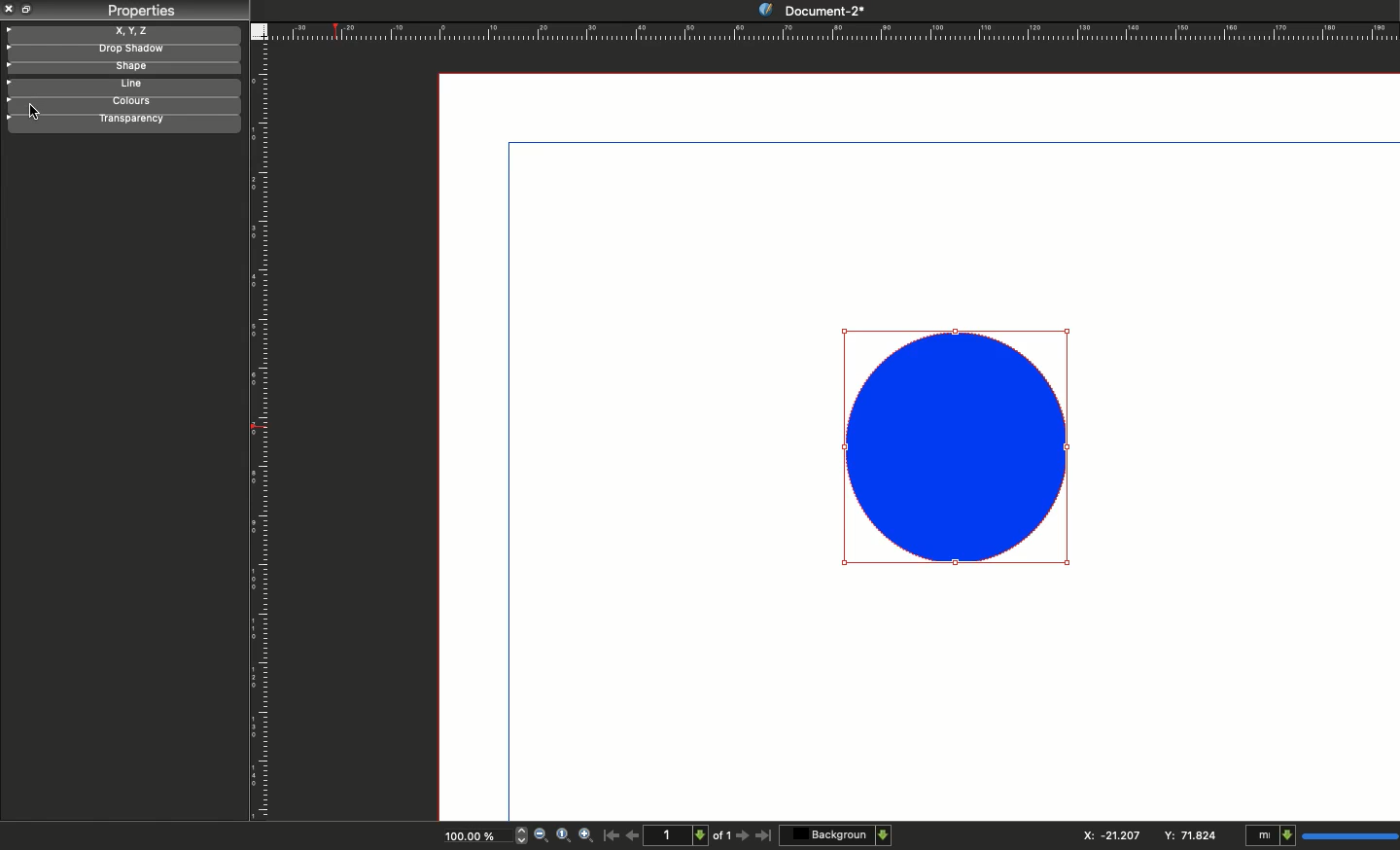 The image size is (1400, 850). What do you see at coordinates (1193, 834) in the screenshot?
I see `Y: 84.706` at bounding box center [1193, 834].